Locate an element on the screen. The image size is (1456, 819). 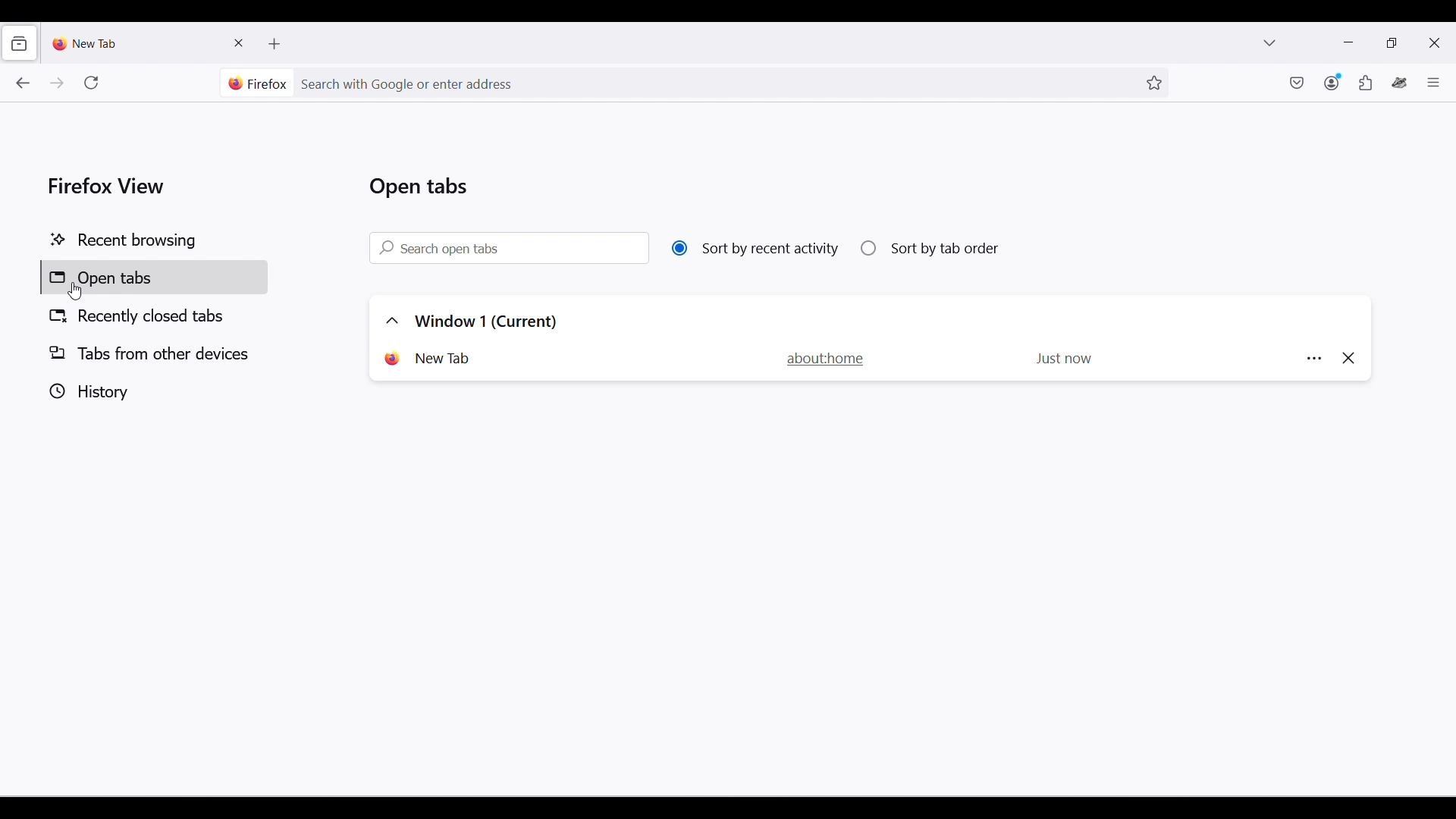
 is located at coordinates (1061, 359).